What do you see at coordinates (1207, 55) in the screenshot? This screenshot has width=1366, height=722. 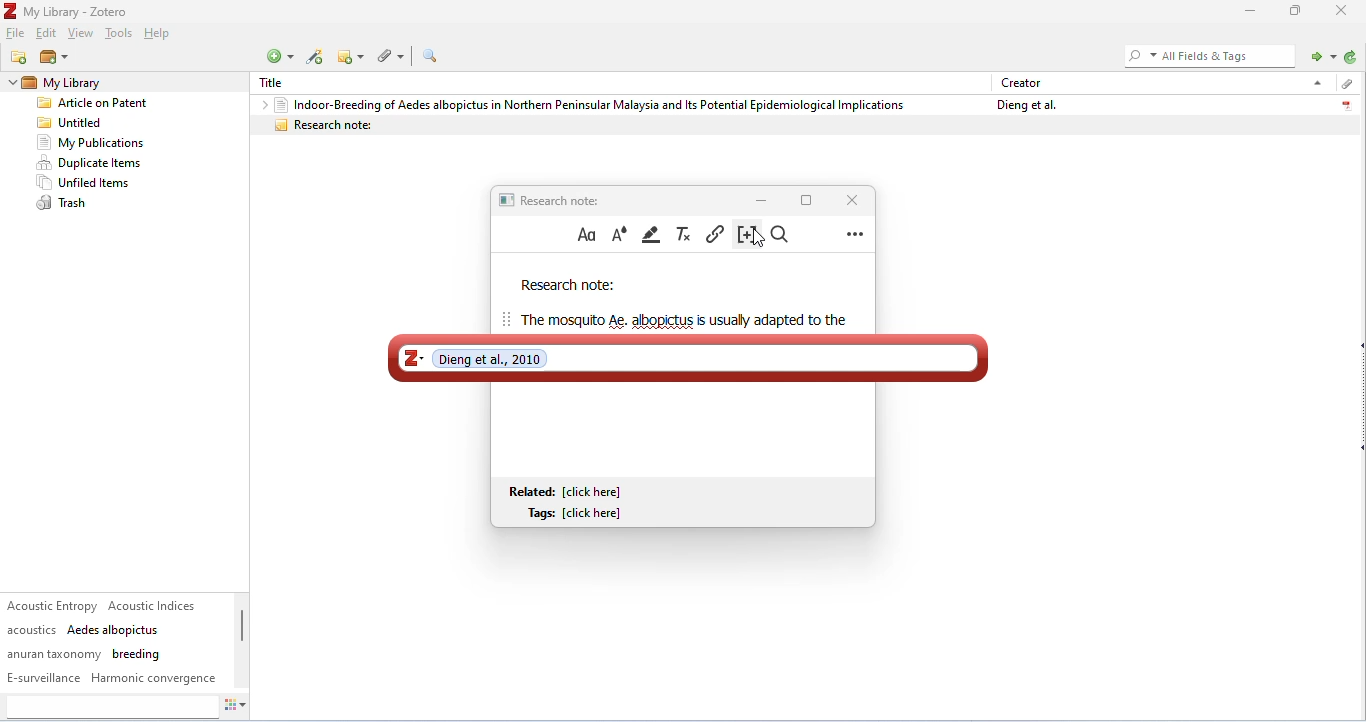 I see `all fields and tagd` at bounding box center [1207, 55].